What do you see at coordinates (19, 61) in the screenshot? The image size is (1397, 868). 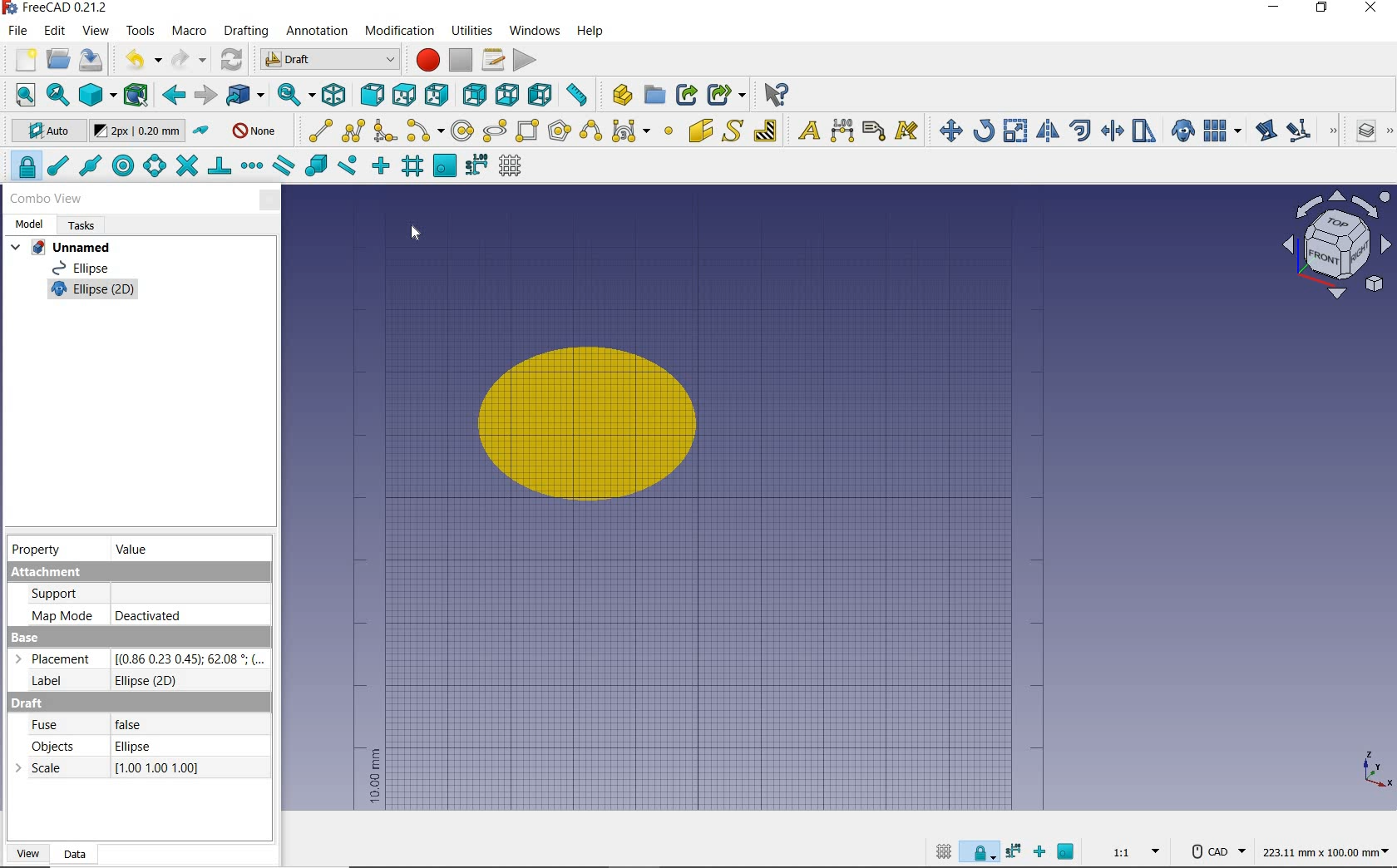 I see `new` at bounding box center [19, 61].